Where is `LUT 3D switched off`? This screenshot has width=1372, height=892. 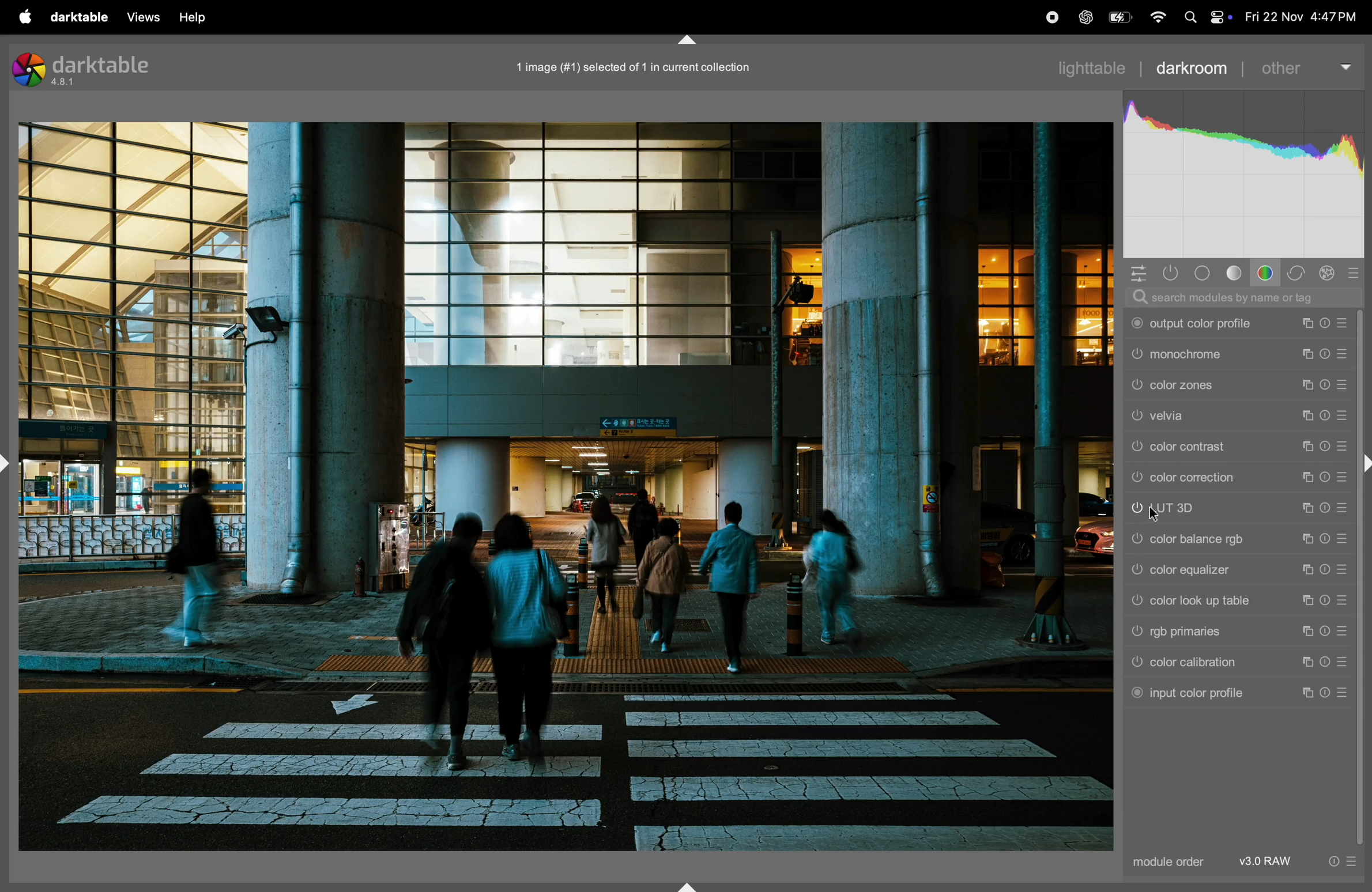
LUT 3D switched off is located at coordinates (1132, 509).